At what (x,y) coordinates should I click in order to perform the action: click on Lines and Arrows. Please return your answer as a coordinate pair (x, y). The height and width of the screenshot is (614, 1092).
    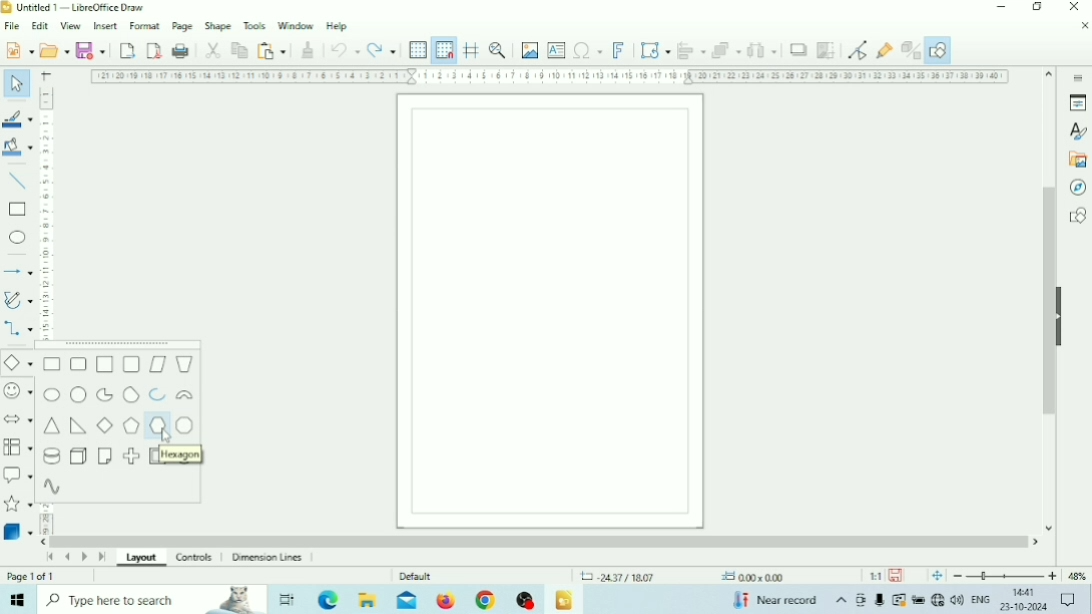
    Looking at the image, I should click on (17, 271).